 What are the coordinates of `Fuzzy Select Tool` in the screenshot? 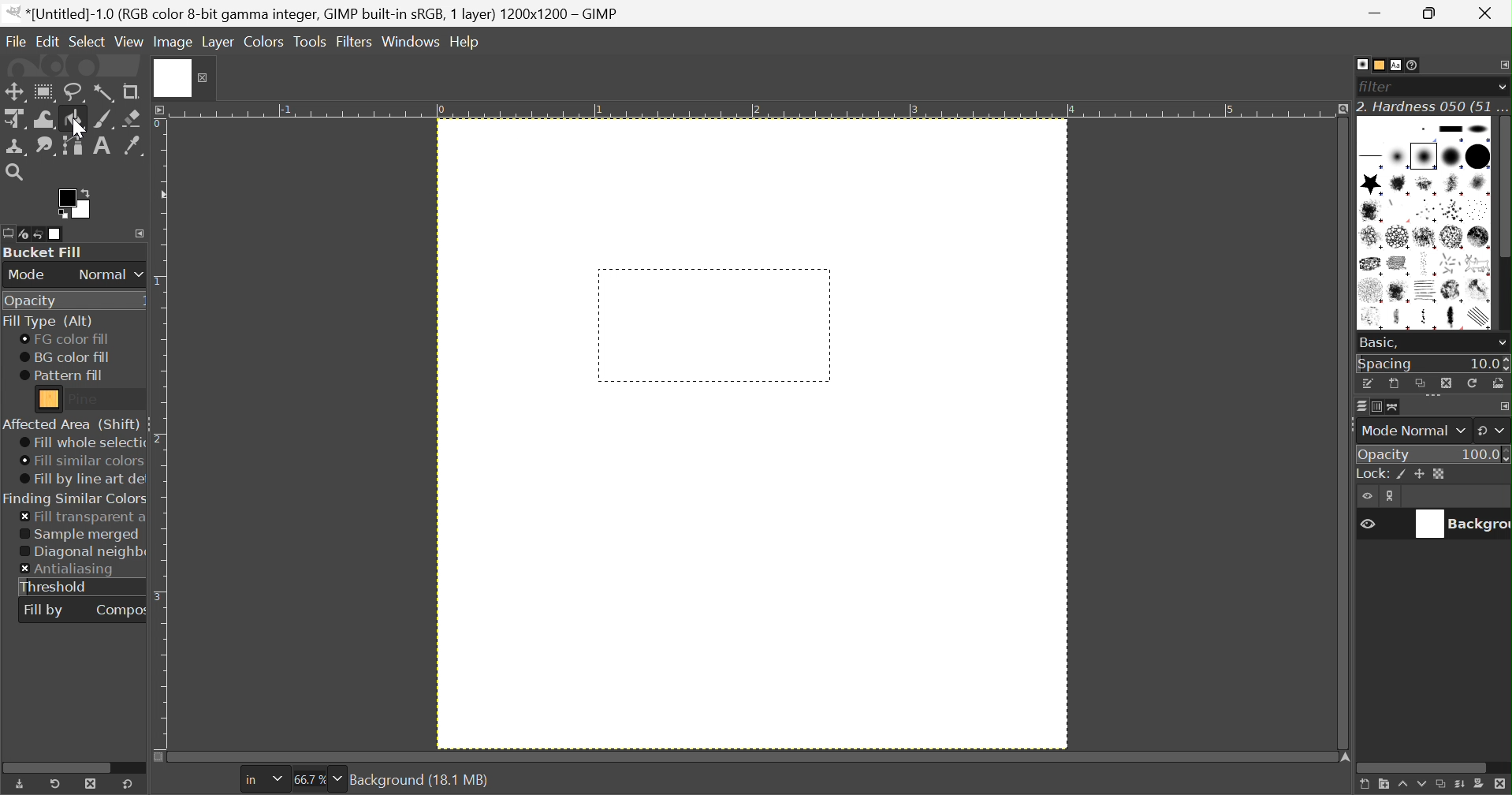 It's located at (104, 93).